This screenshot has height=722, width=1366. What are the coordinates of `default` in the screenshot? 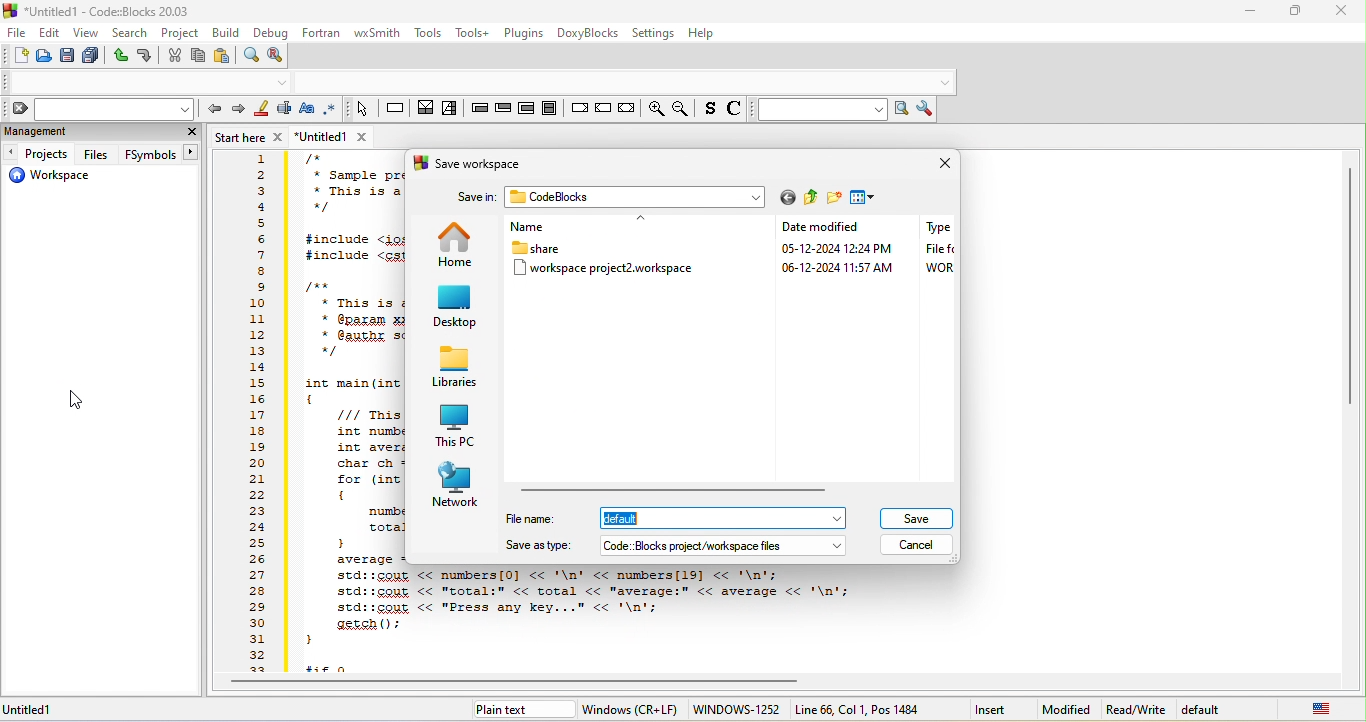 It's located at (1215, 710).